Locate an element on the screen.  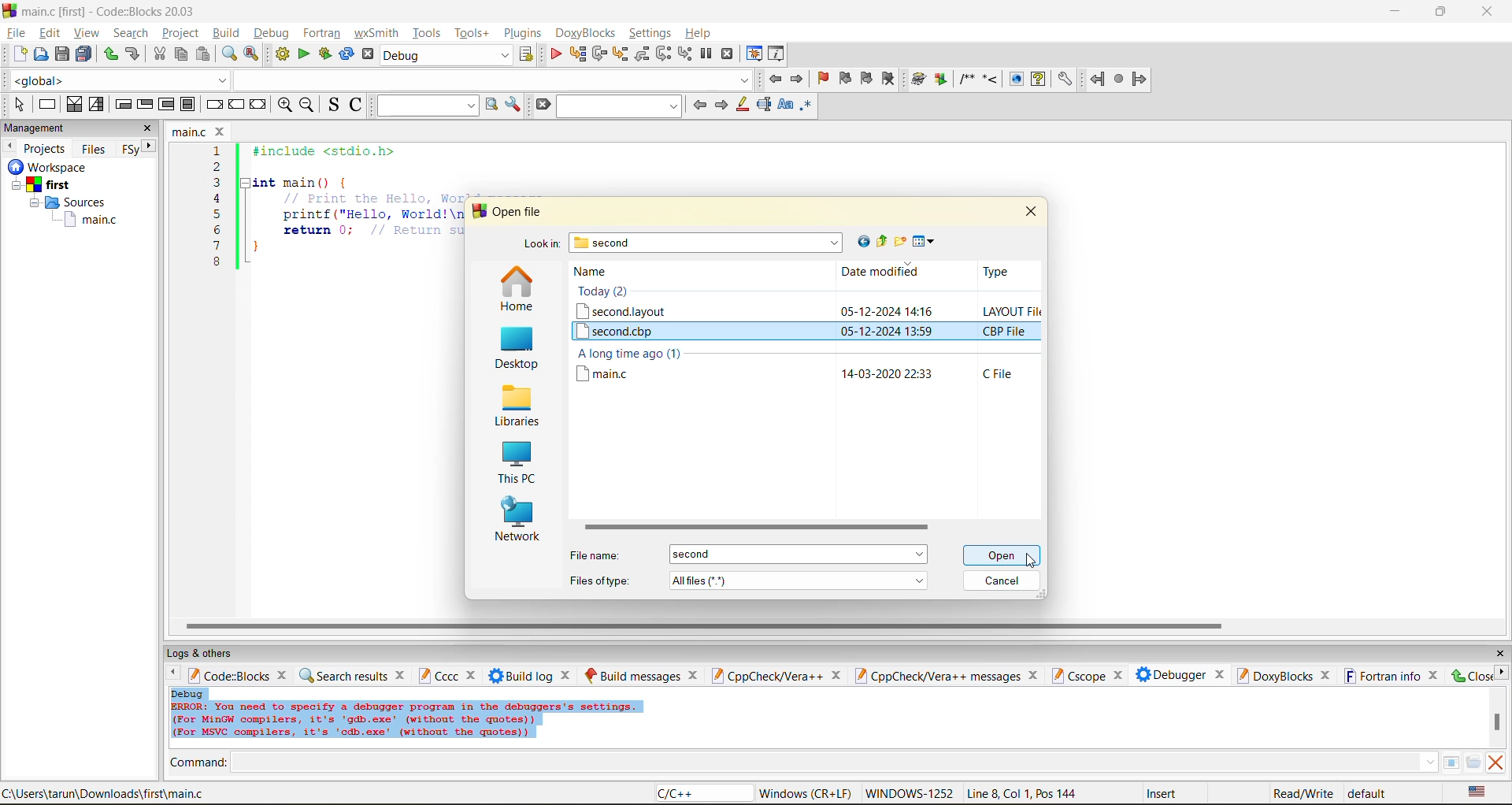
file type is located at coordinates (1006, 373).